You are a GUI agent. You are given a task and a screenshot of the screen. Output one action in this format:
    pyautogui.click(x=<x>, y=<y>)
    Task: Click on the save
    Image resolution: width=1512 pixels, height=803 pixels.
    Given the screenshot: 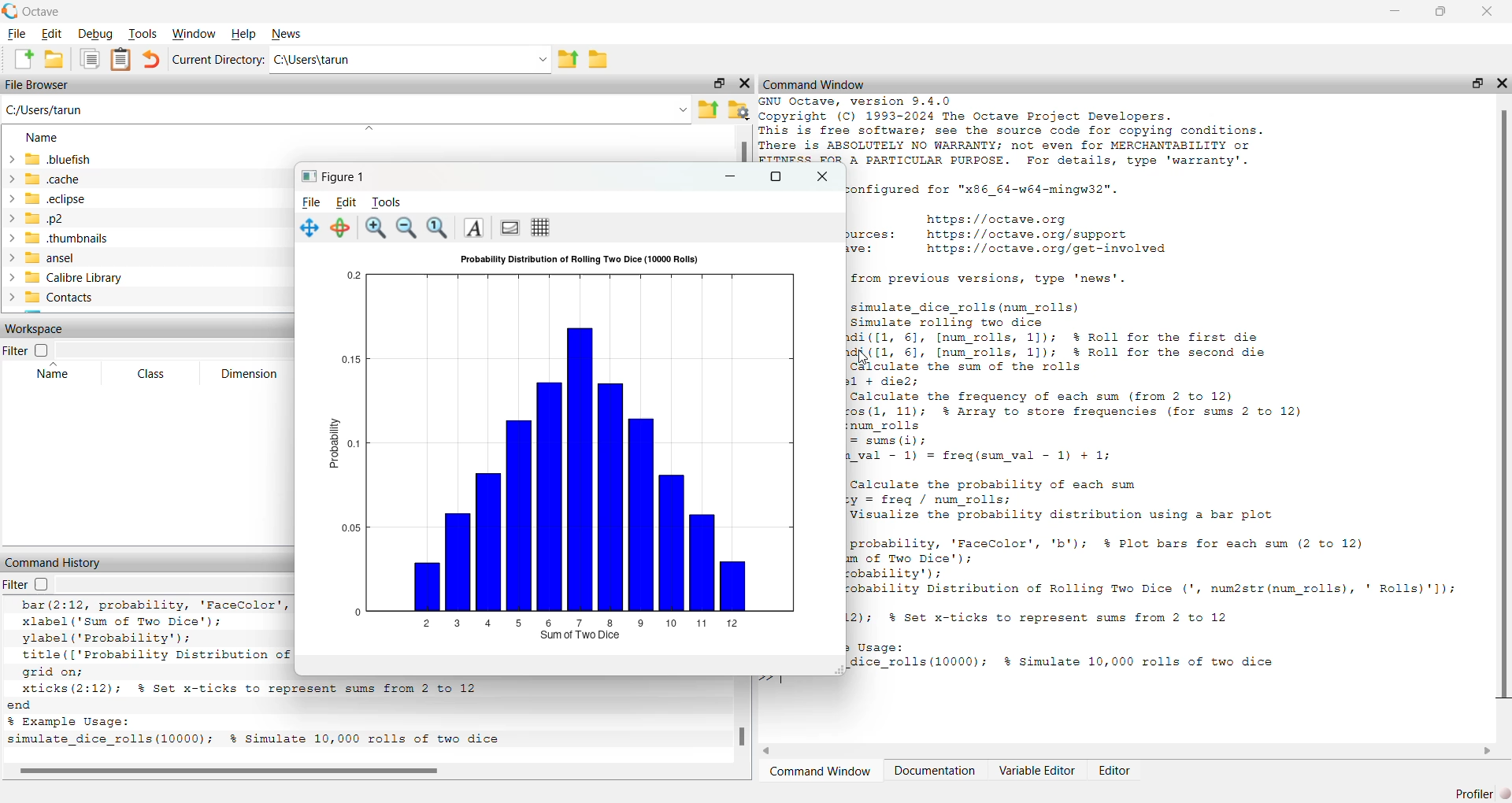 What is the action you would take?
    pyautogui.click(x=597, y=60)
    